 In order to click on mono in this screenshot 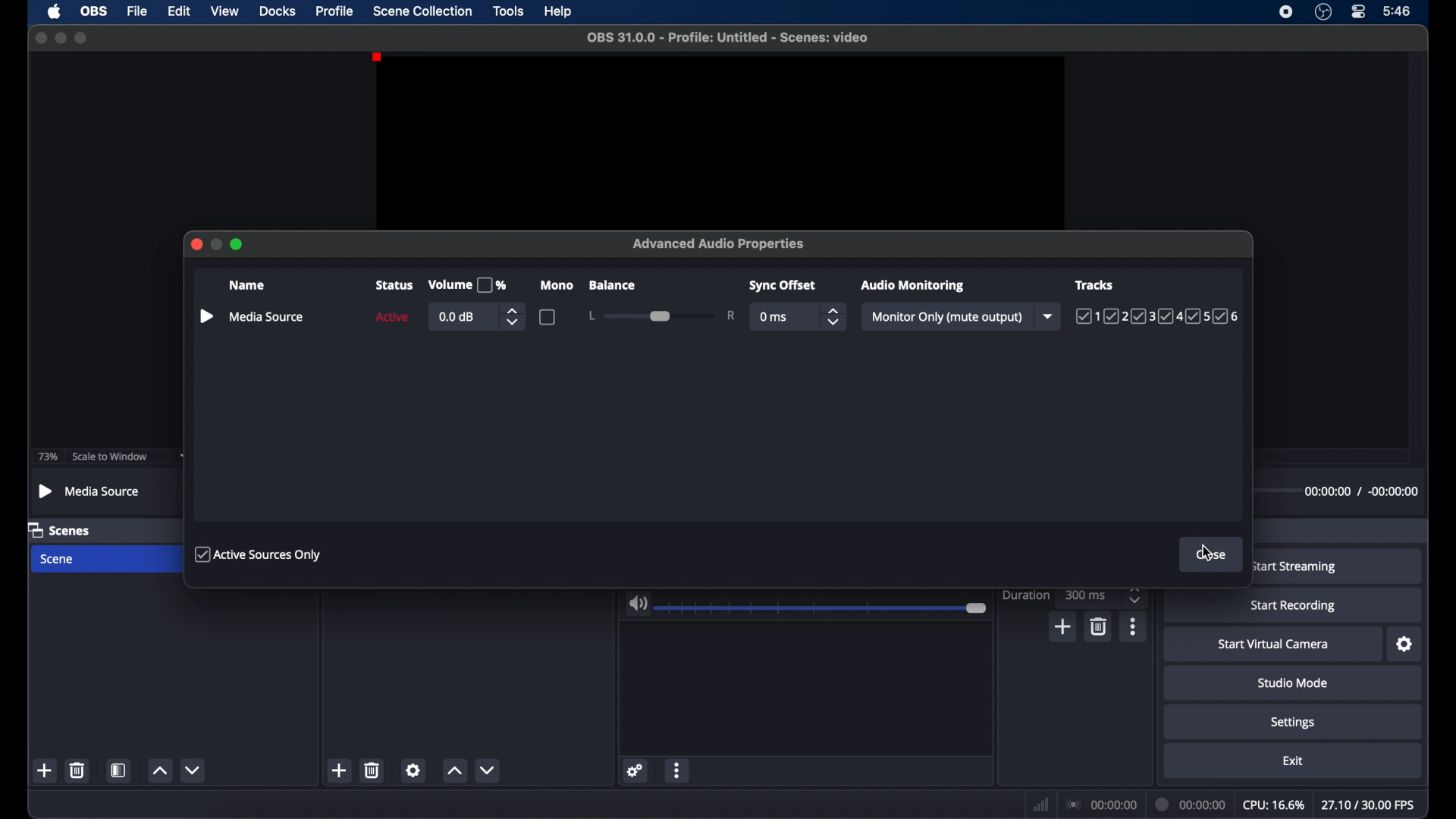, I will do `click(558, 285)`.